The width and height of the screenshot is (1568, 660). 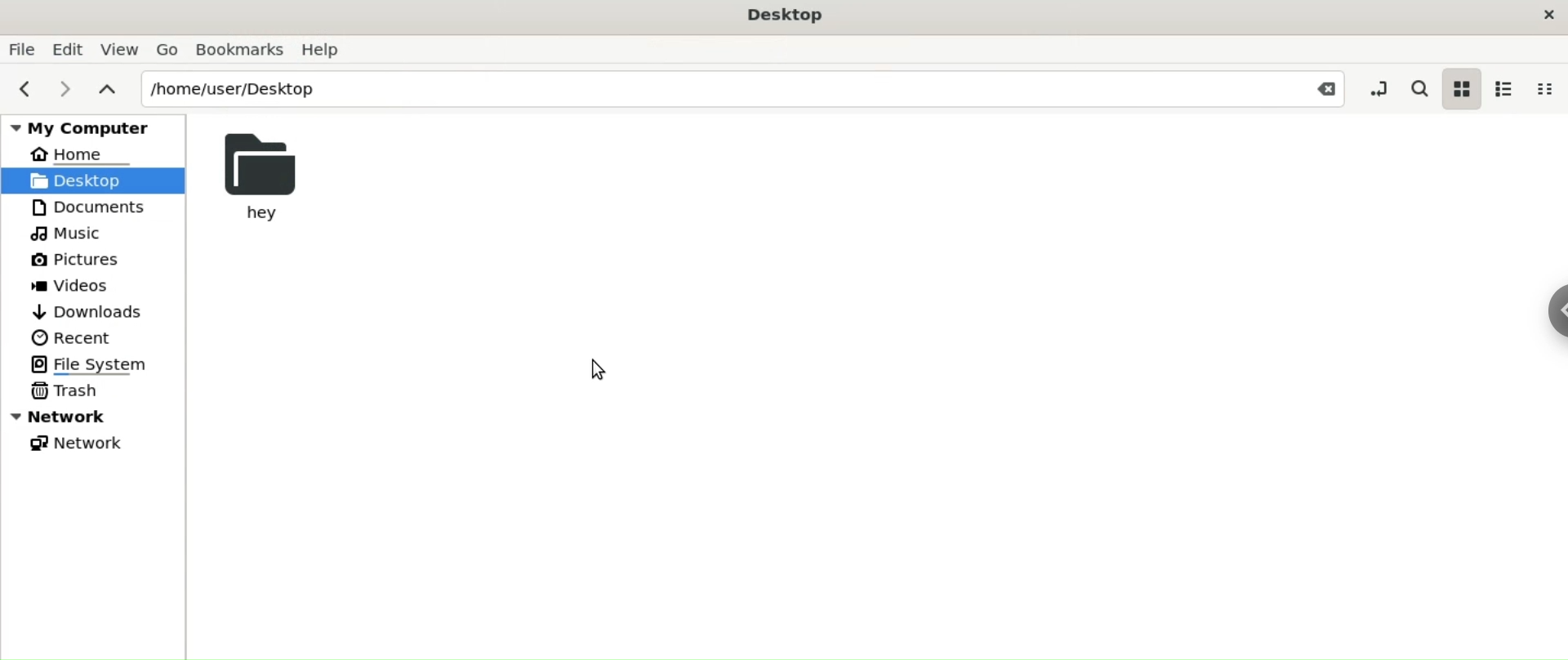 What do you see at coordinates (90, 208) in the screenshot?
I see `Documents` at bounding box center [90, 208].